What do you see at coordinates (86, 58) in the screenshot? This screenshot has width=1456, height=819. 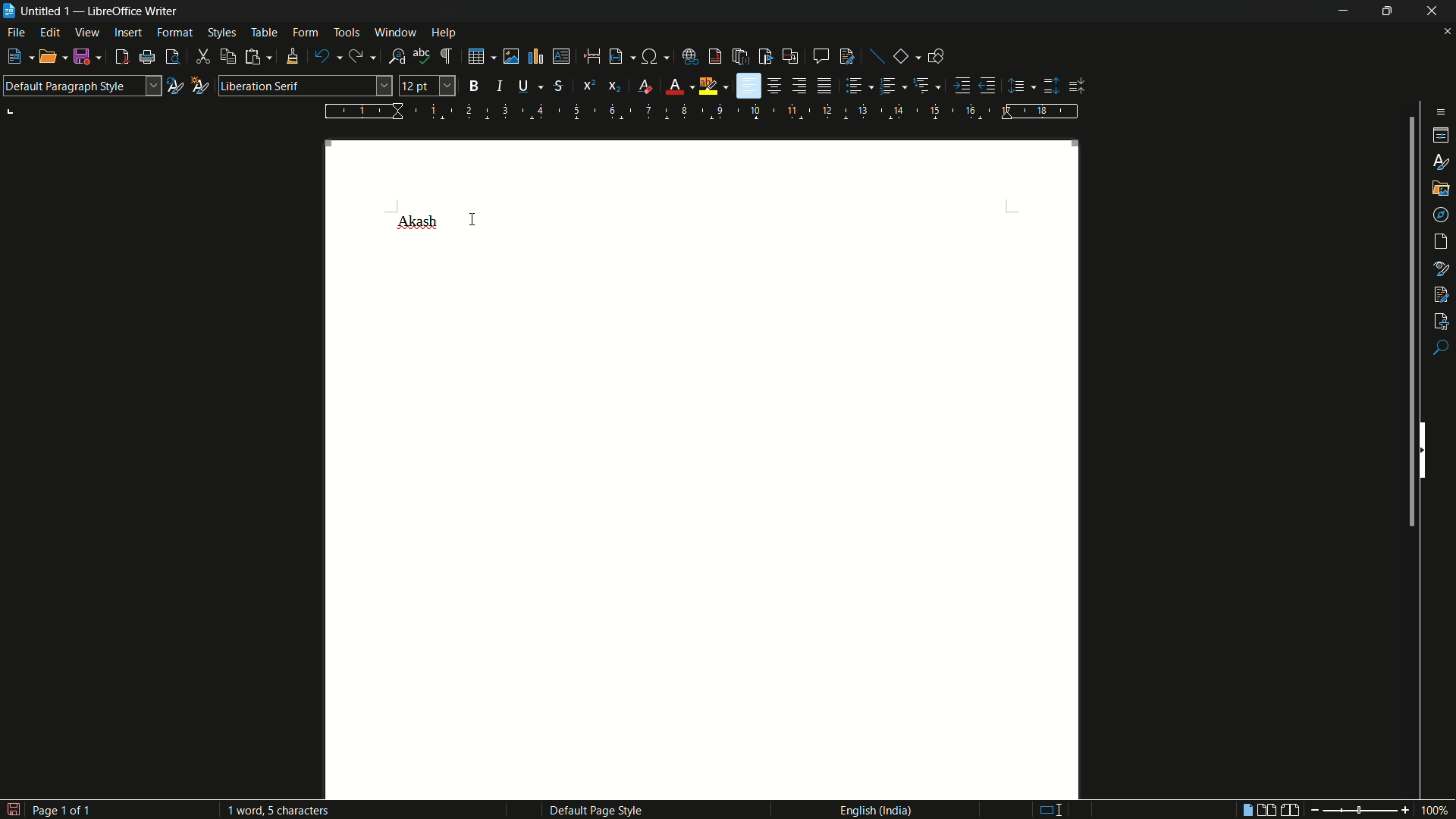 I see `save file` at bounding box center [86, 58].